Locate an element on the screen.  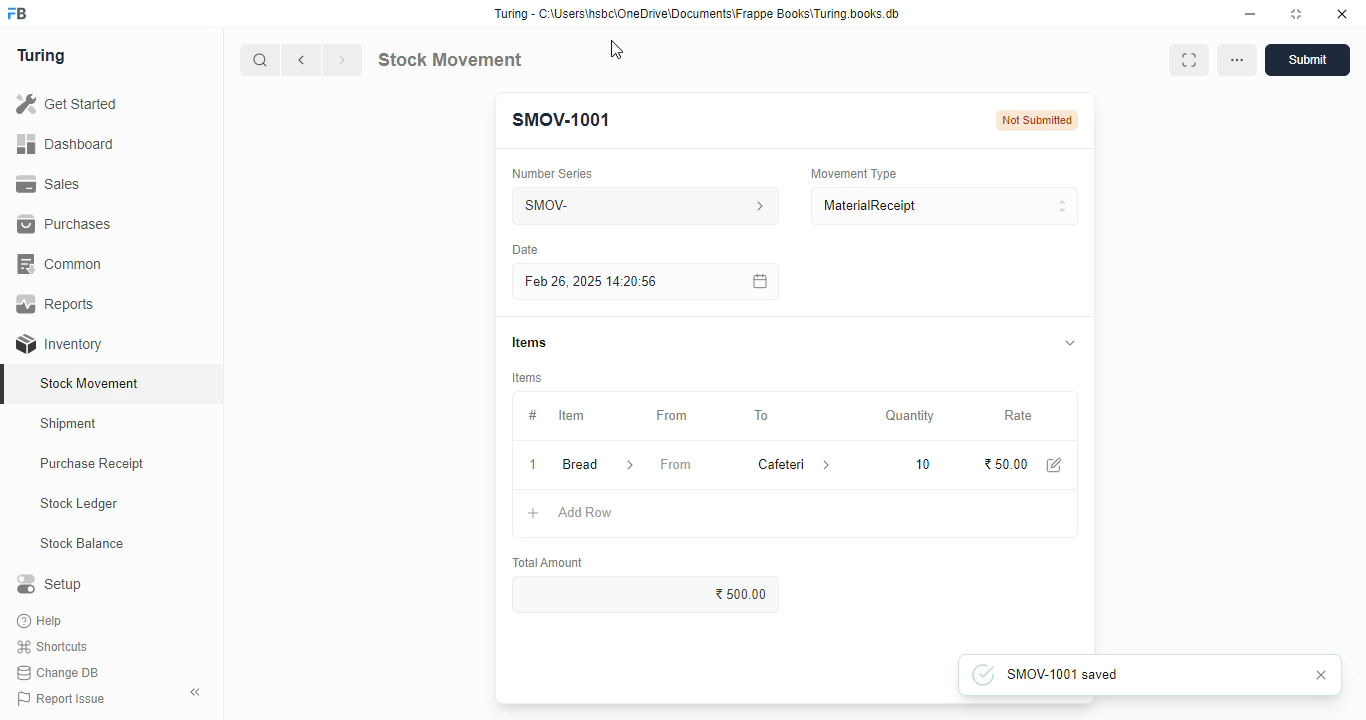
from is located at coordinates (673, 416).